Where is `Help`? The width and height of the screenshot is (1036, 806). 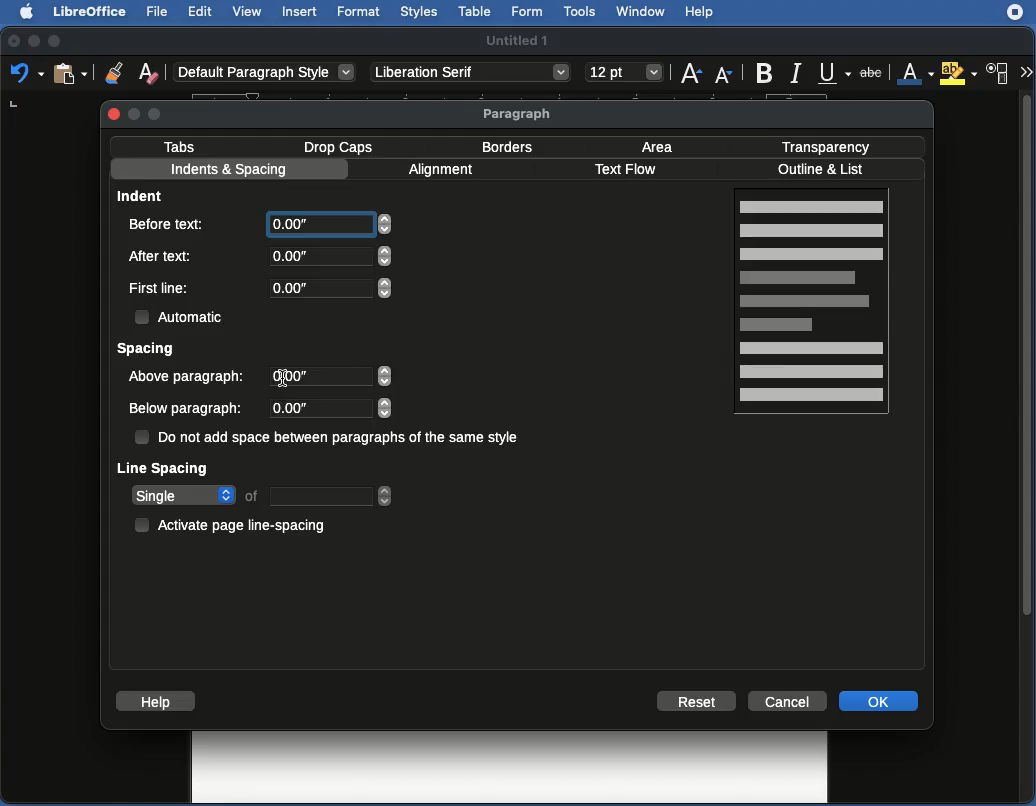
Help is located at coordinates (155, 701).